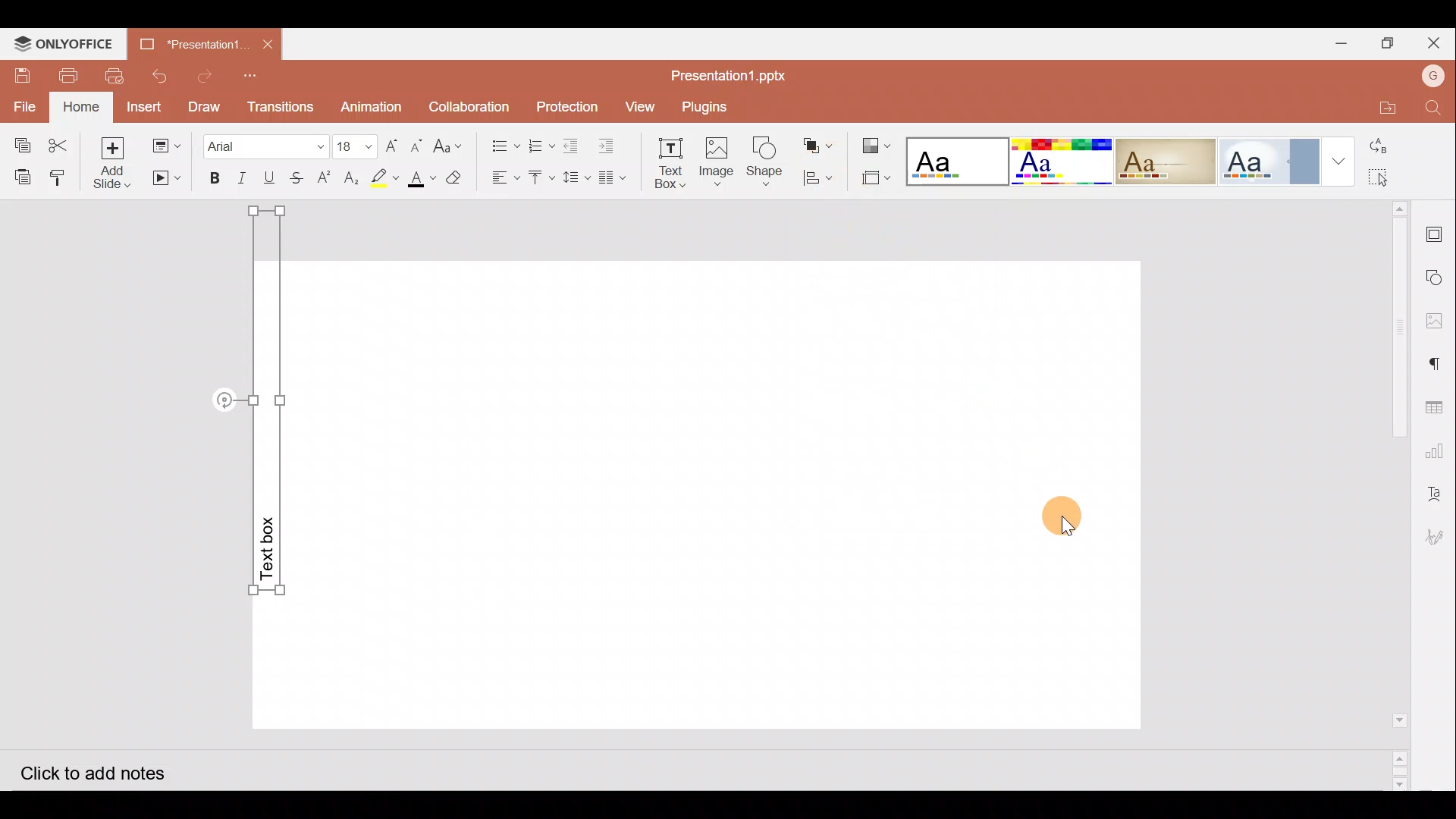 This screenshot has width=1456, height=819. What do you see at coordinates (209, 179) in the screenshot?
I see `Bold` at bounding box center [209, 179].